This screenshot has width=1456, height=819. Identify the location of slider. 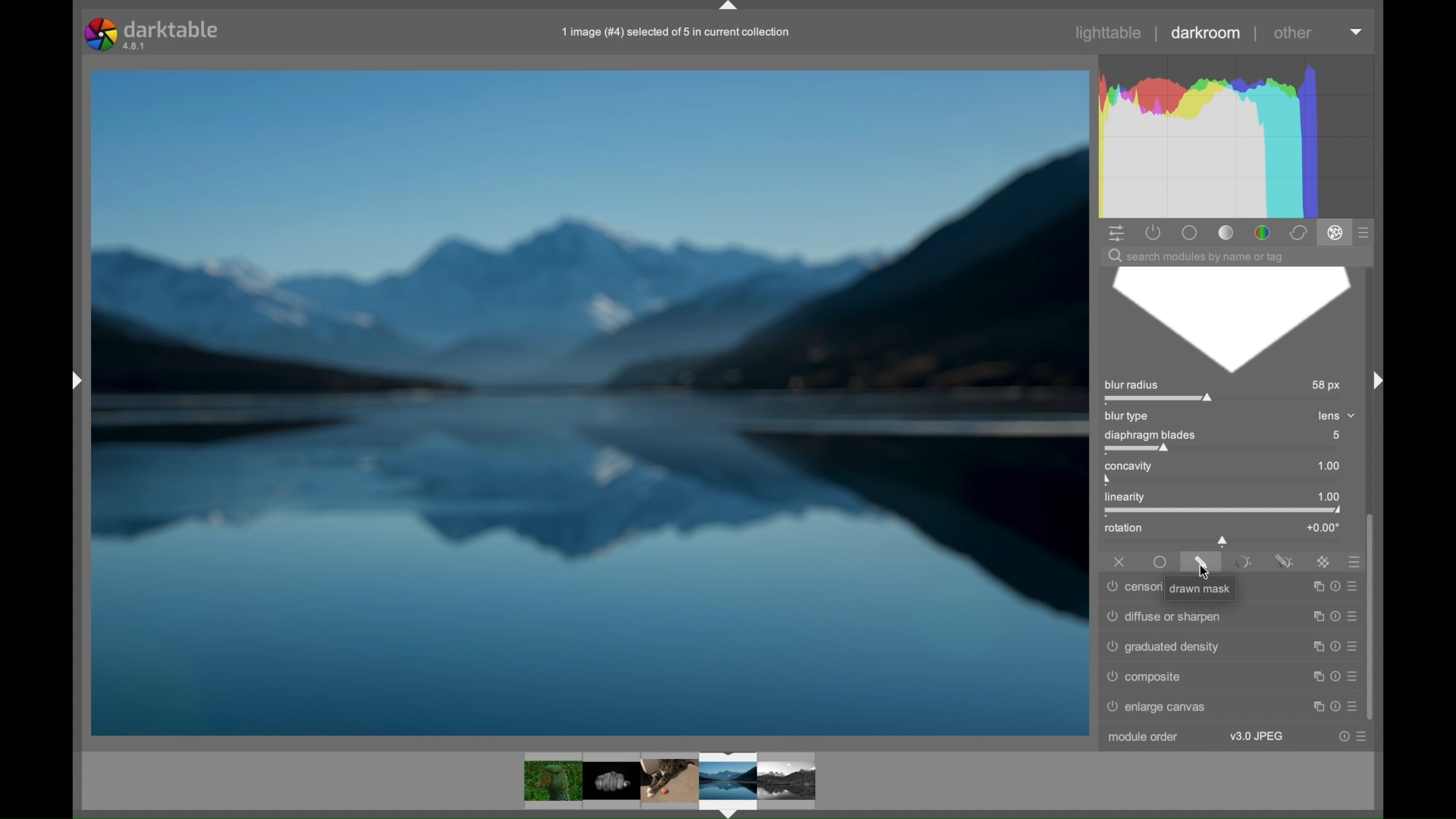
(1223, 541).